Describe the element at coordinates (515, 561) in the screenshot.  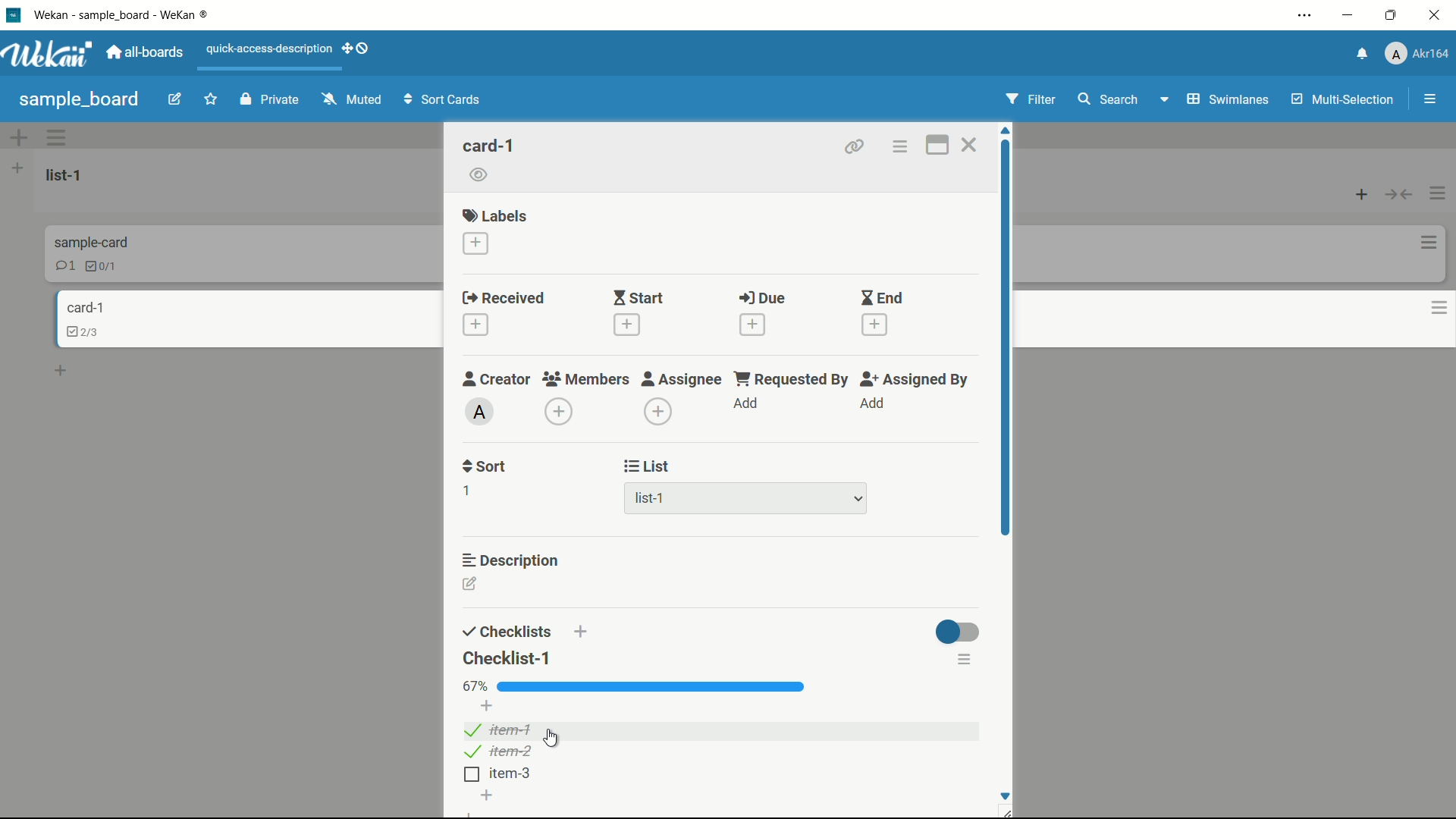
I see `description` at that location.